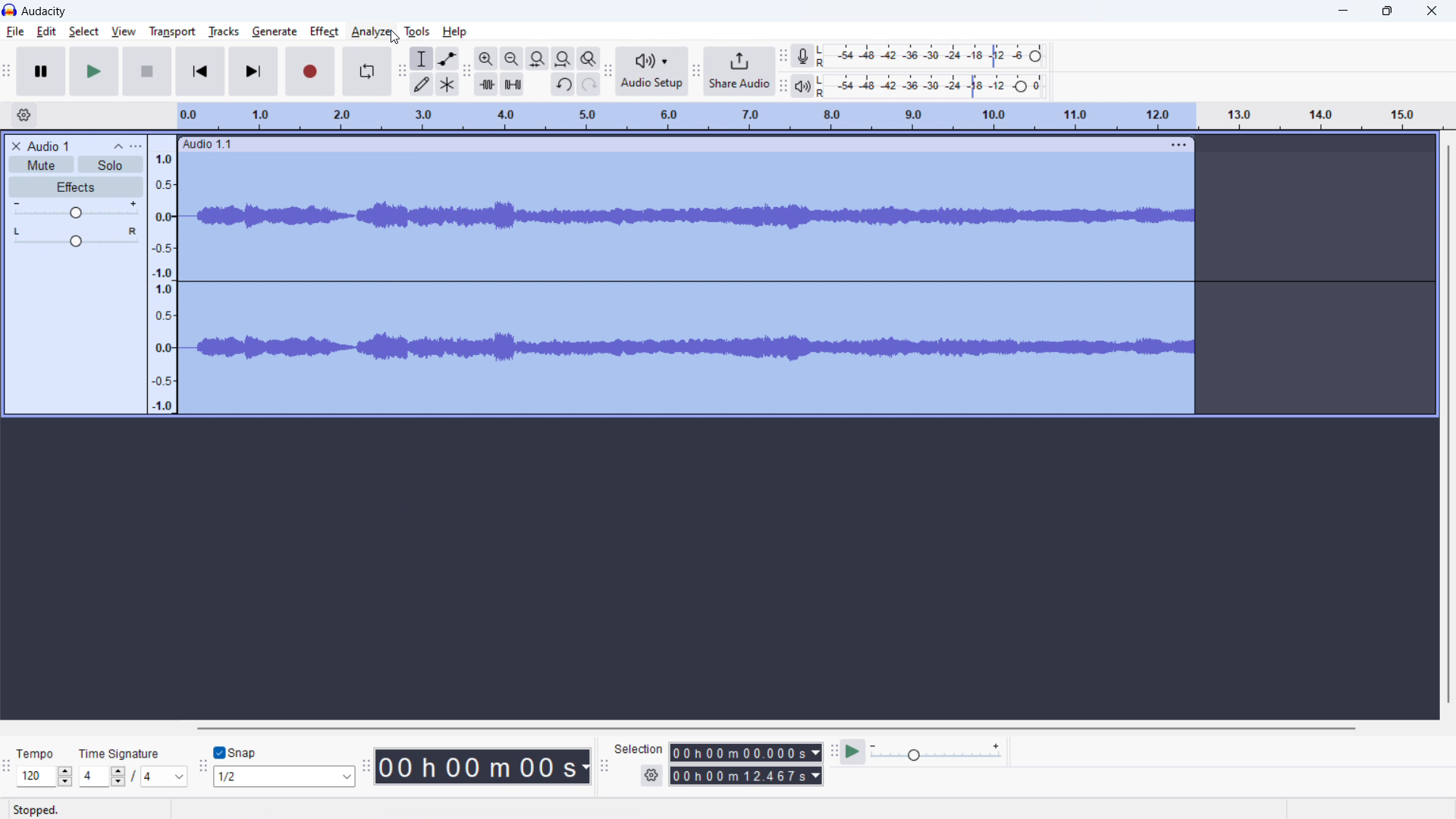  What do you see at coordinates (931, 86) in the screenshot?
I see `playback level` at bounding box center [931, 86].